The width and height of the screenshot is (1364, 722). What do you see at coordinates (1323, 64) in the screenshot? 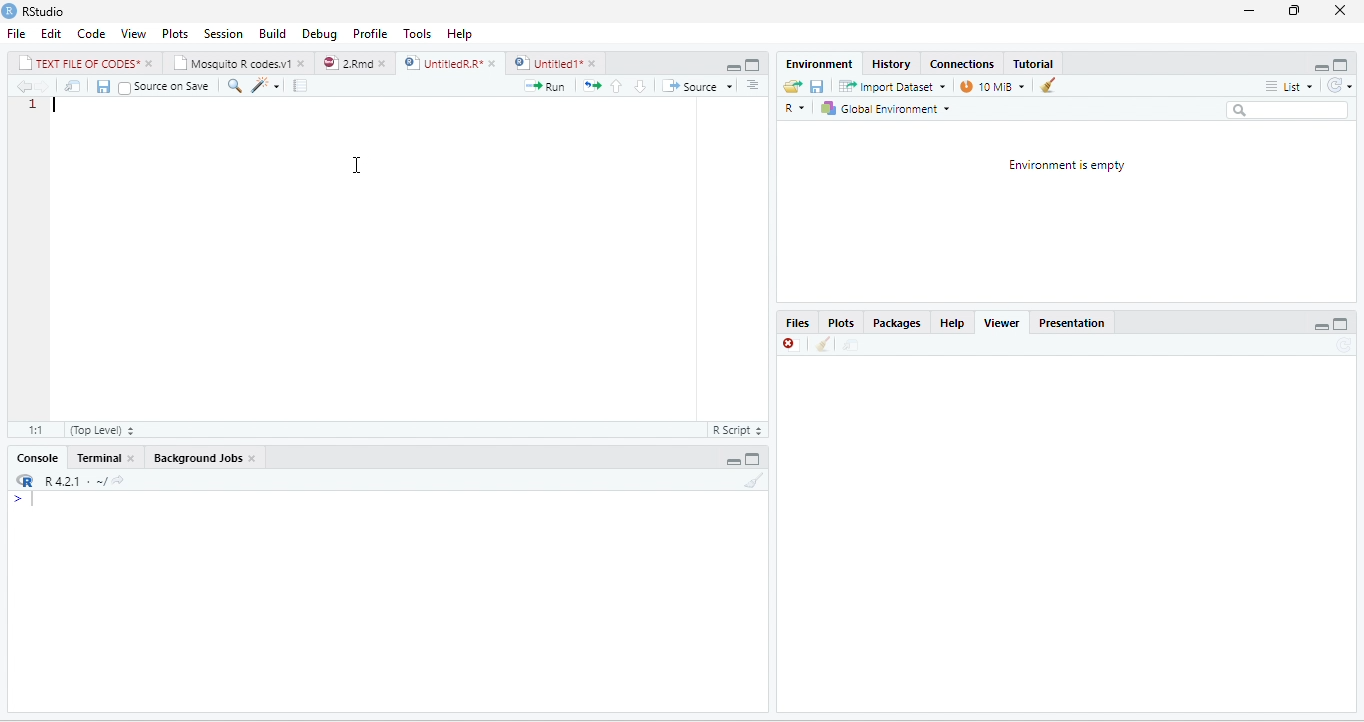
I see `minimize` at bounding box center [1323, 64].